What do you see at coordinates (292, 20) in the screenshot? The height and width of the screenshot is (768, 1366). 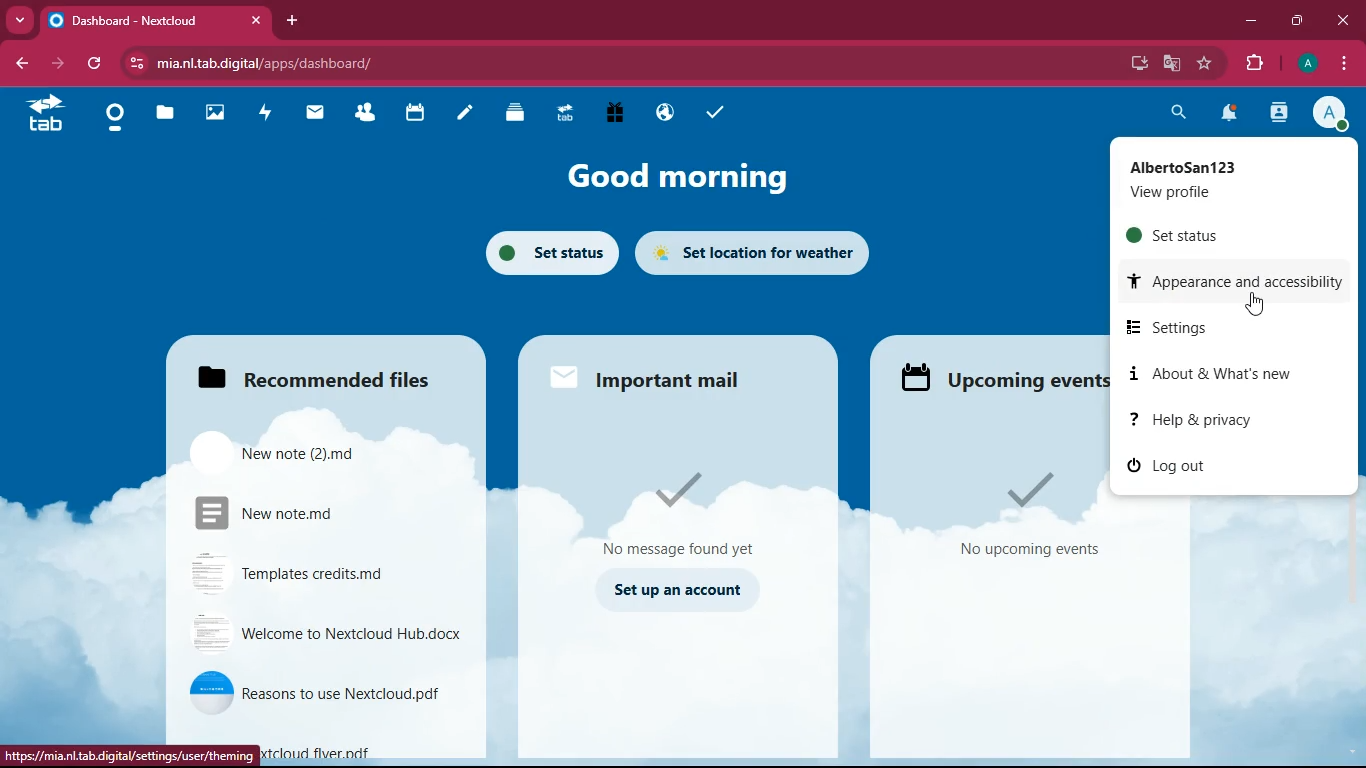 I see `add tab` at bounding box center [292, 20].